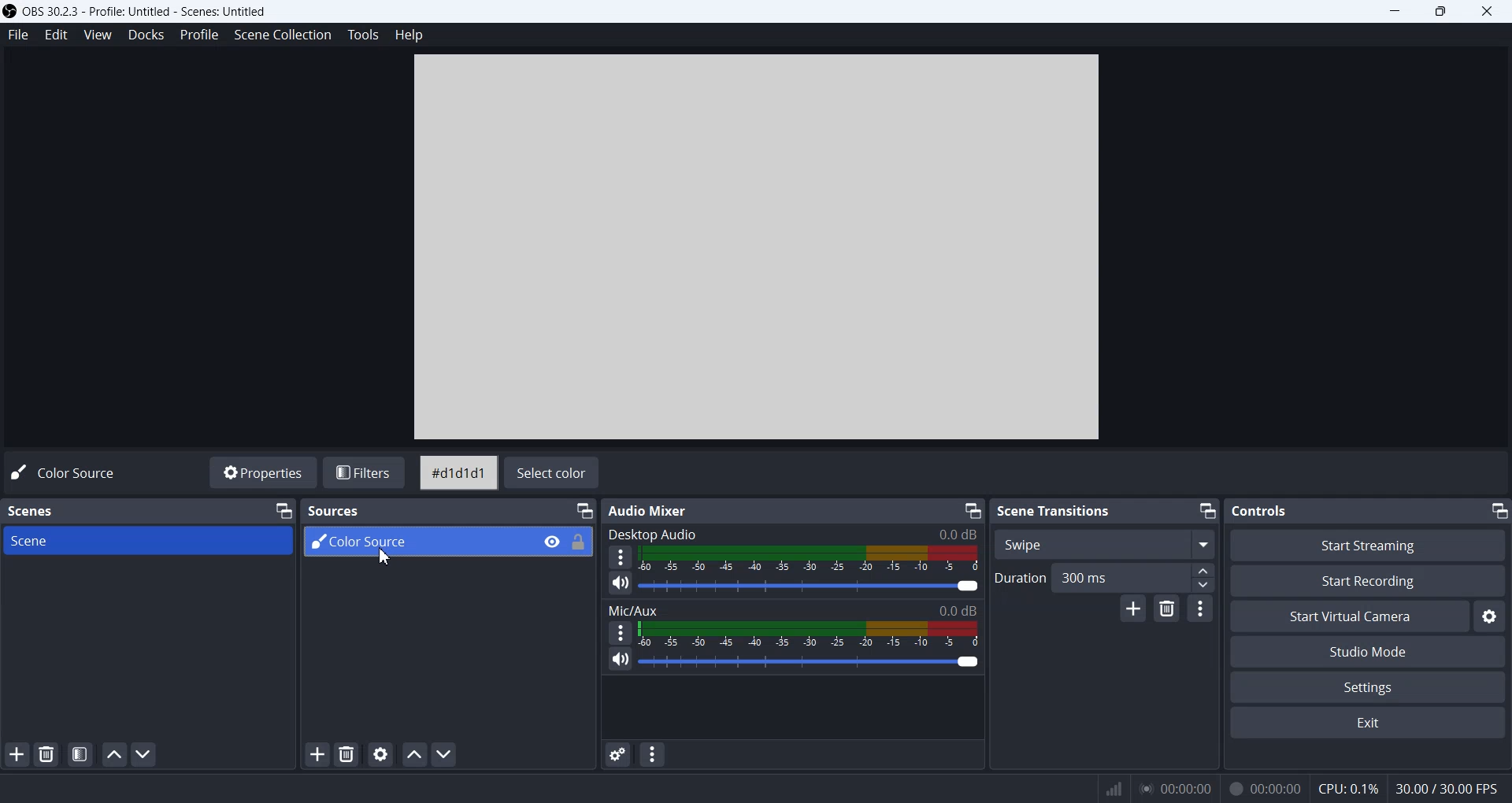 The image size is (1512, 803). What do you see at coordinates (1450, 790) in the screenshot?
I see `30.00 / 30.00 FPS` at bounding box center [1450, 790].